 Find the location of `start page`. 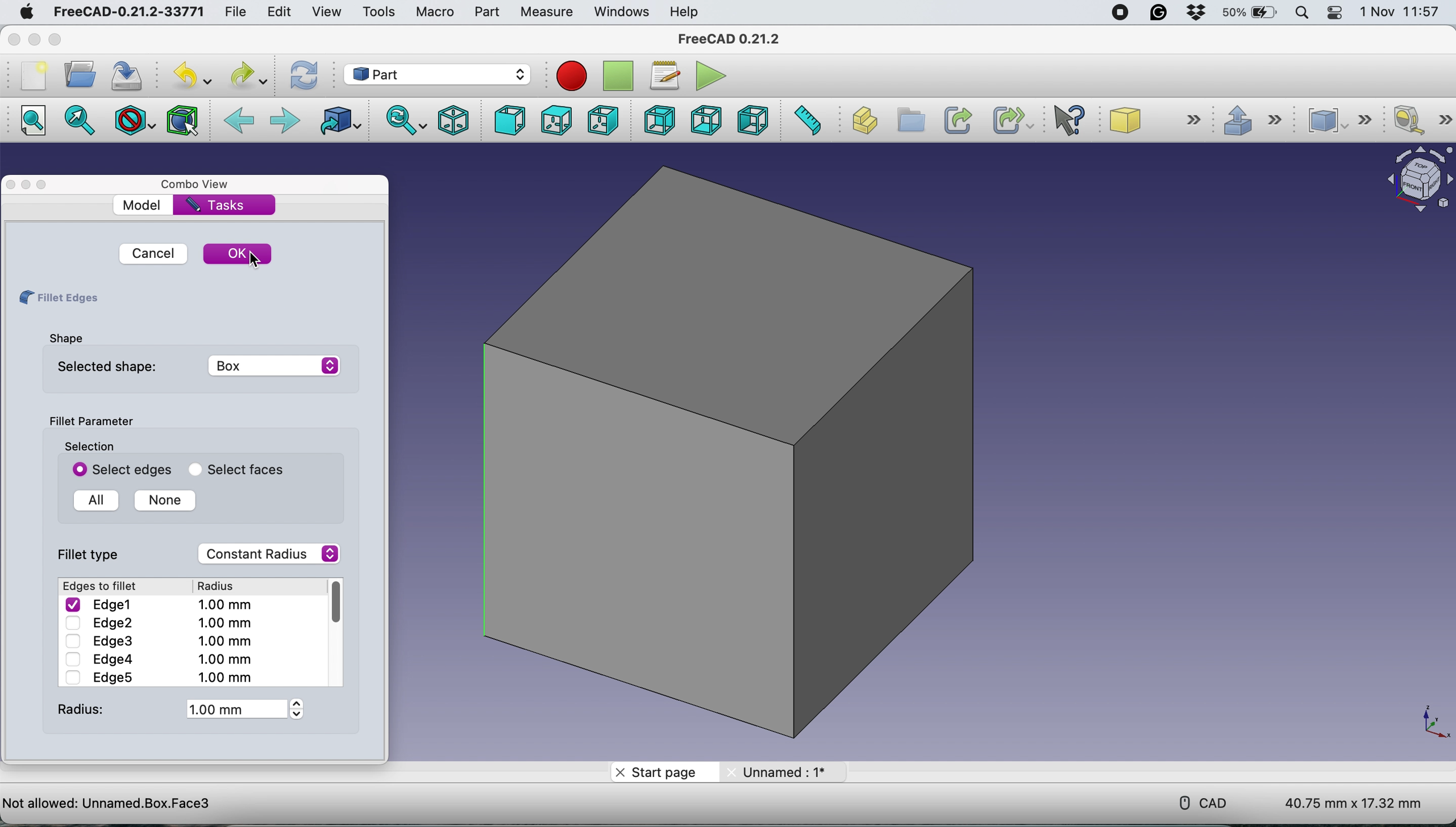

start page is located at coordinates (664, 771).